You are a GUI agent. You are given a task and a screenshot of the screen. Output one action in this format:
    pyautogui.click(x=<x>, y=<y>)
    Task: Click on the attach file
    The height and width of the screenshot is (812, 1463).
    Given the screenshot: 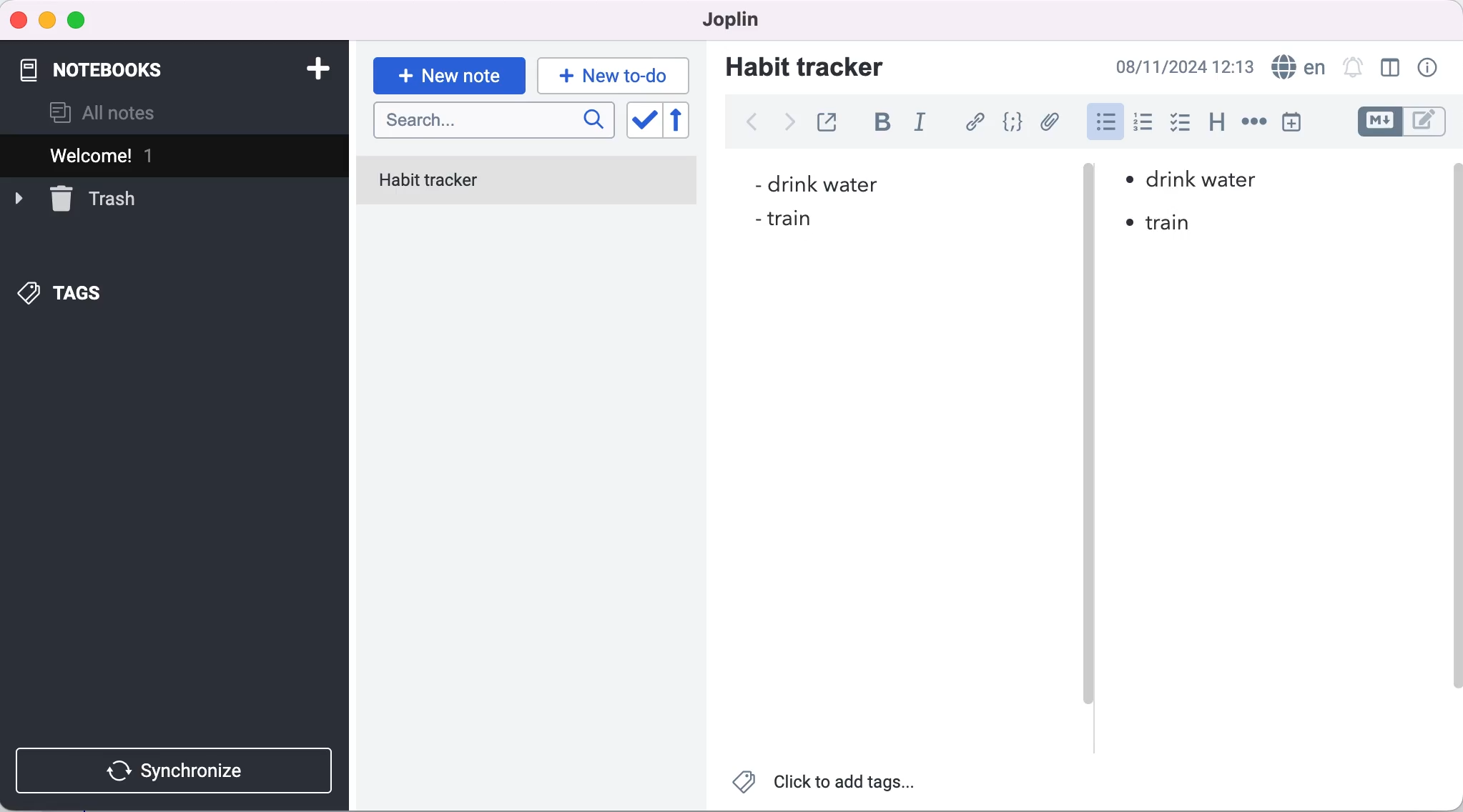 What is the action you would take?
    pyautogui.click(x=1053, y=122)
    